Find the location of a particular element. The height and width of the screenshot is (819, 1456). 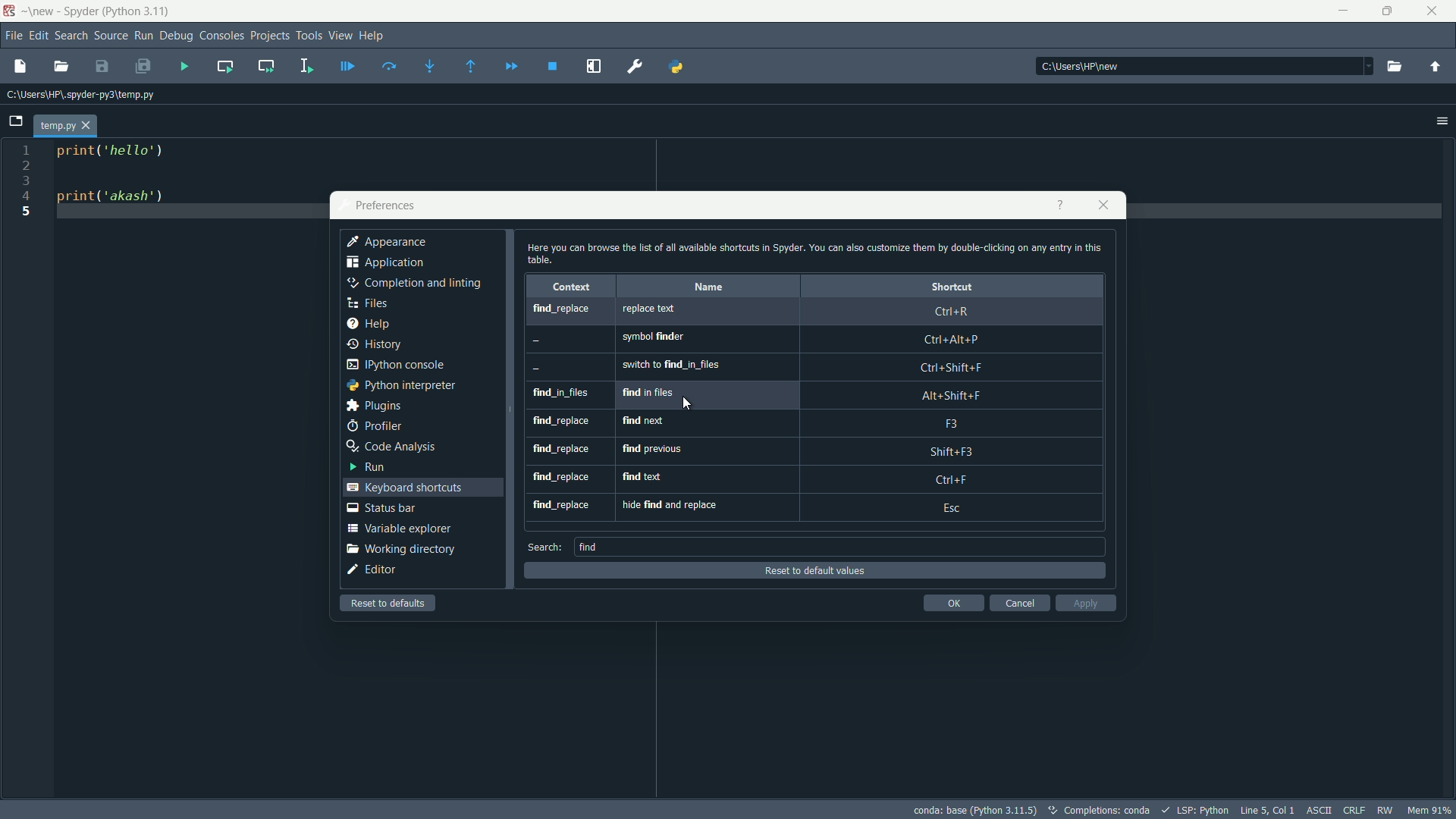

apply is located at coordinates (1082, 604).